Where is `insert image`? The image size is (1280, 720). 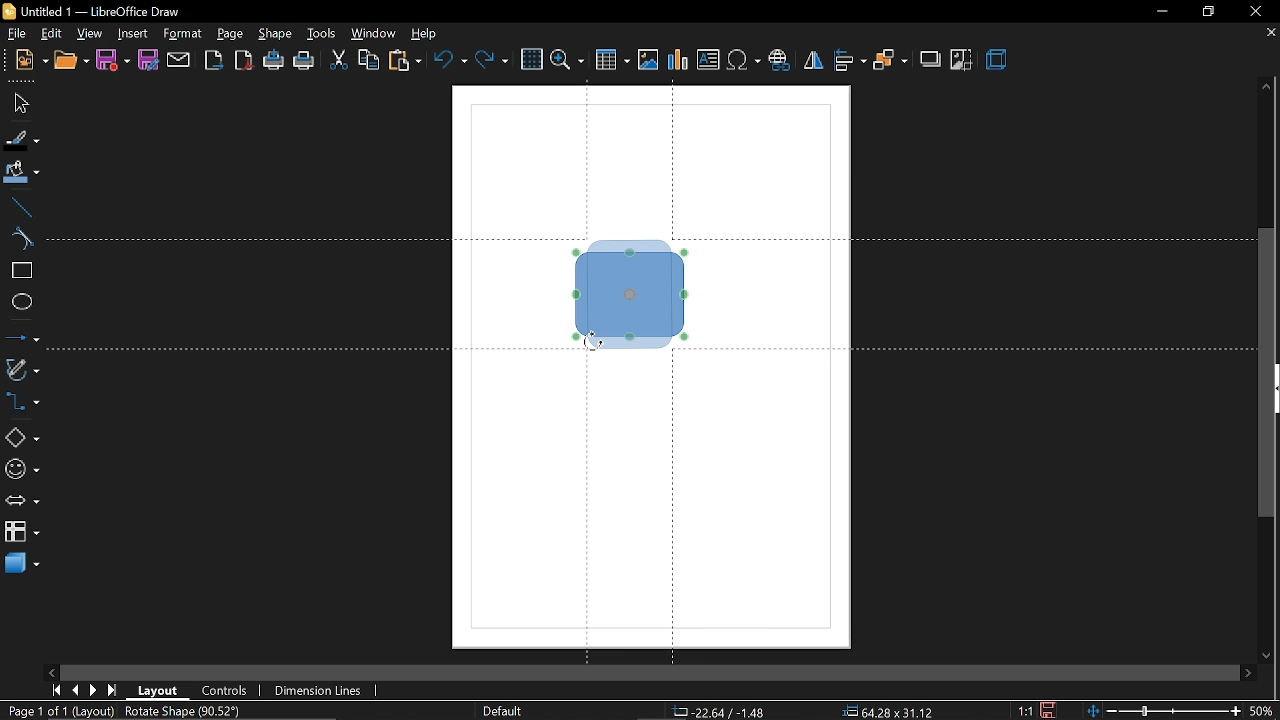 insert image is located at coordinates (646, 61).